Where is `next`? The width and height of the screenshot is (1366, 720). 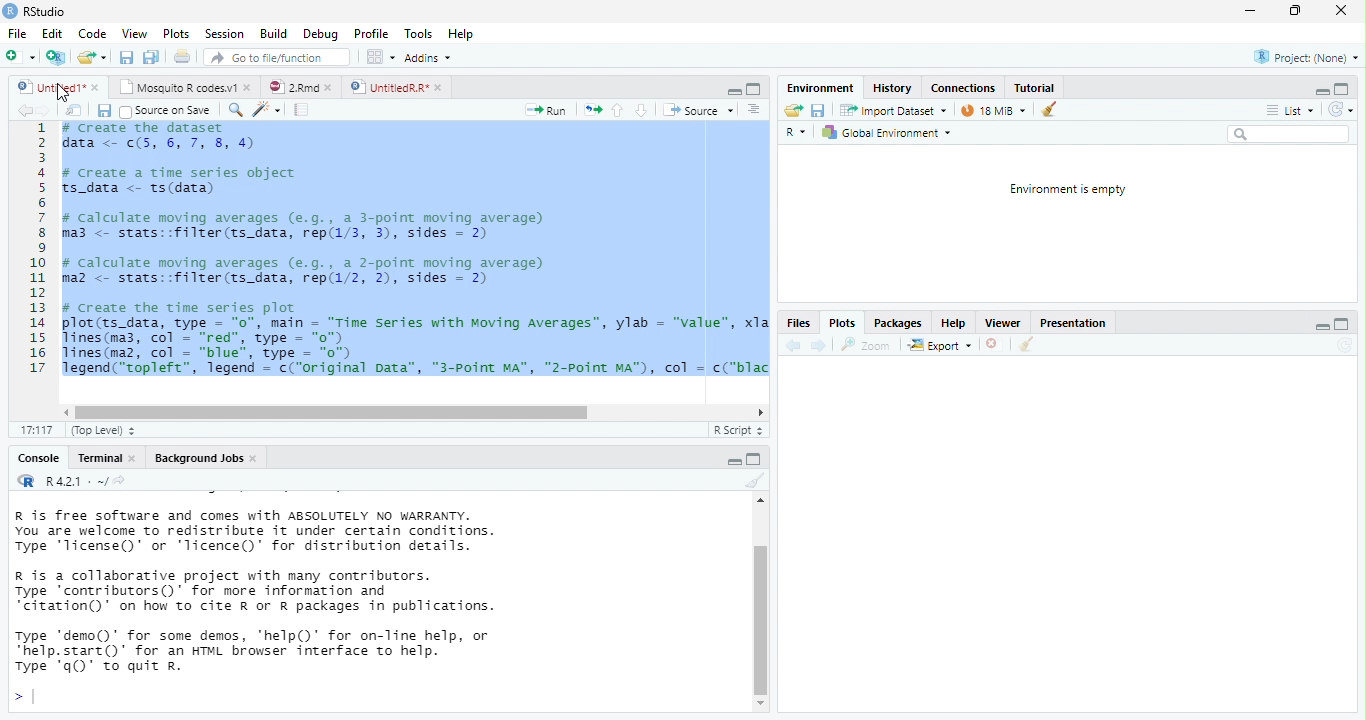
next is located at coordinates (48, 111).